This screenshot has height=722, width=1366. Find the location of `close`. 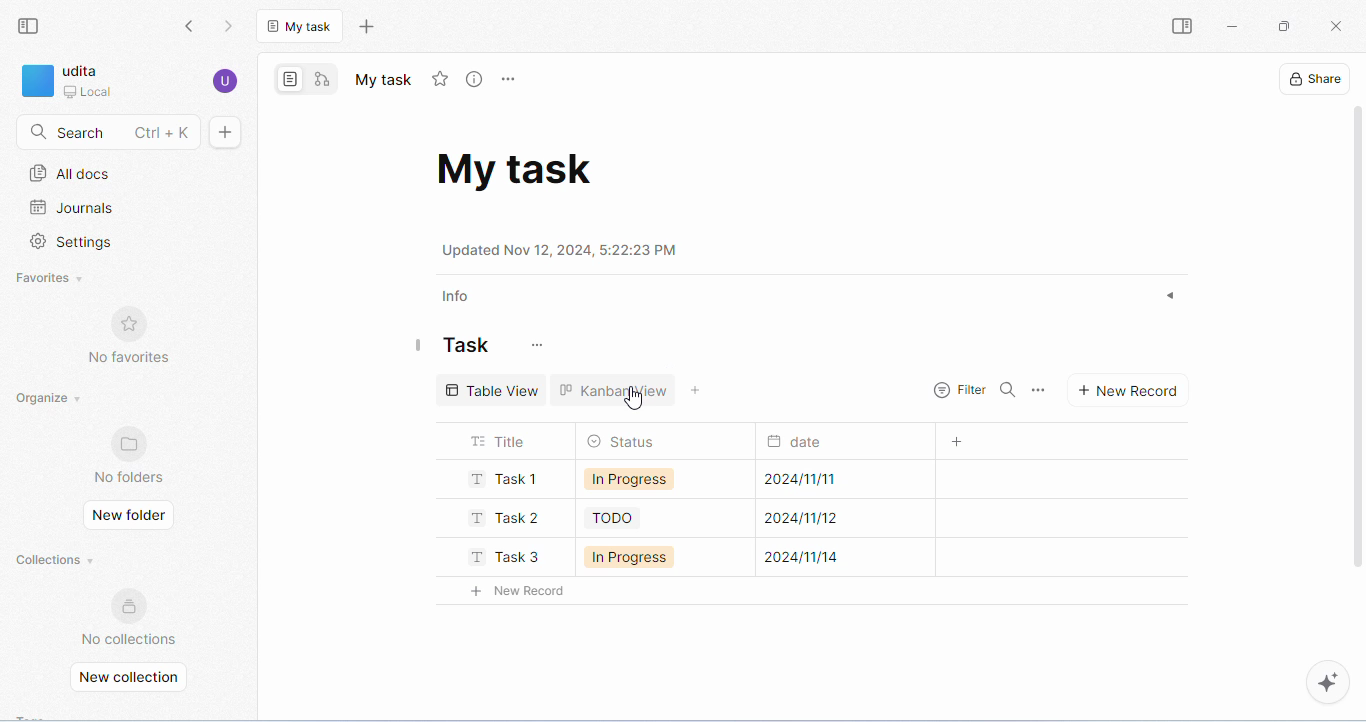

close is located at coordinates (1334, 24).